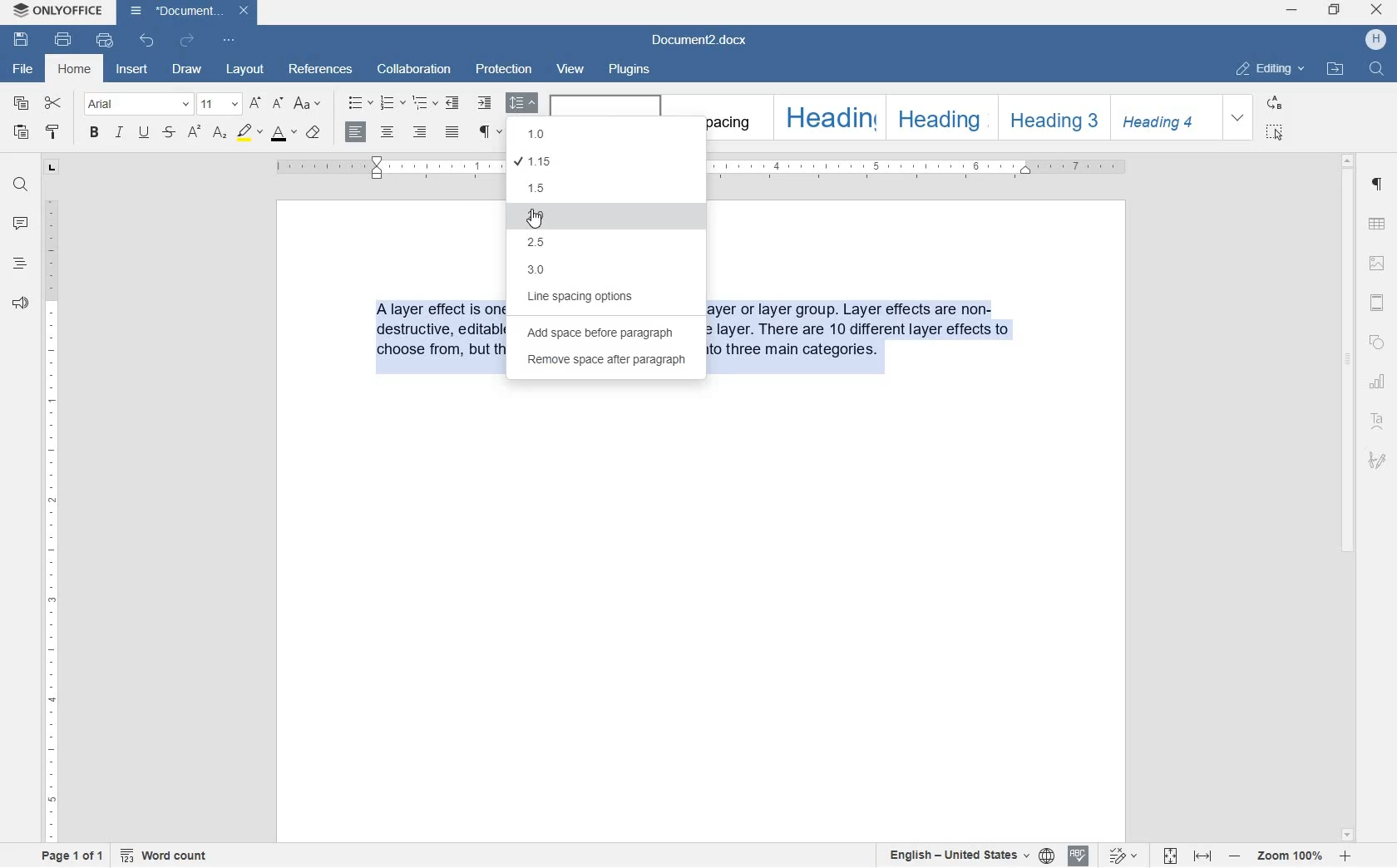  What do you see at coordinates (734, 118) in the screenshot?
I see `no spacing` at bounding box center [734, 118].